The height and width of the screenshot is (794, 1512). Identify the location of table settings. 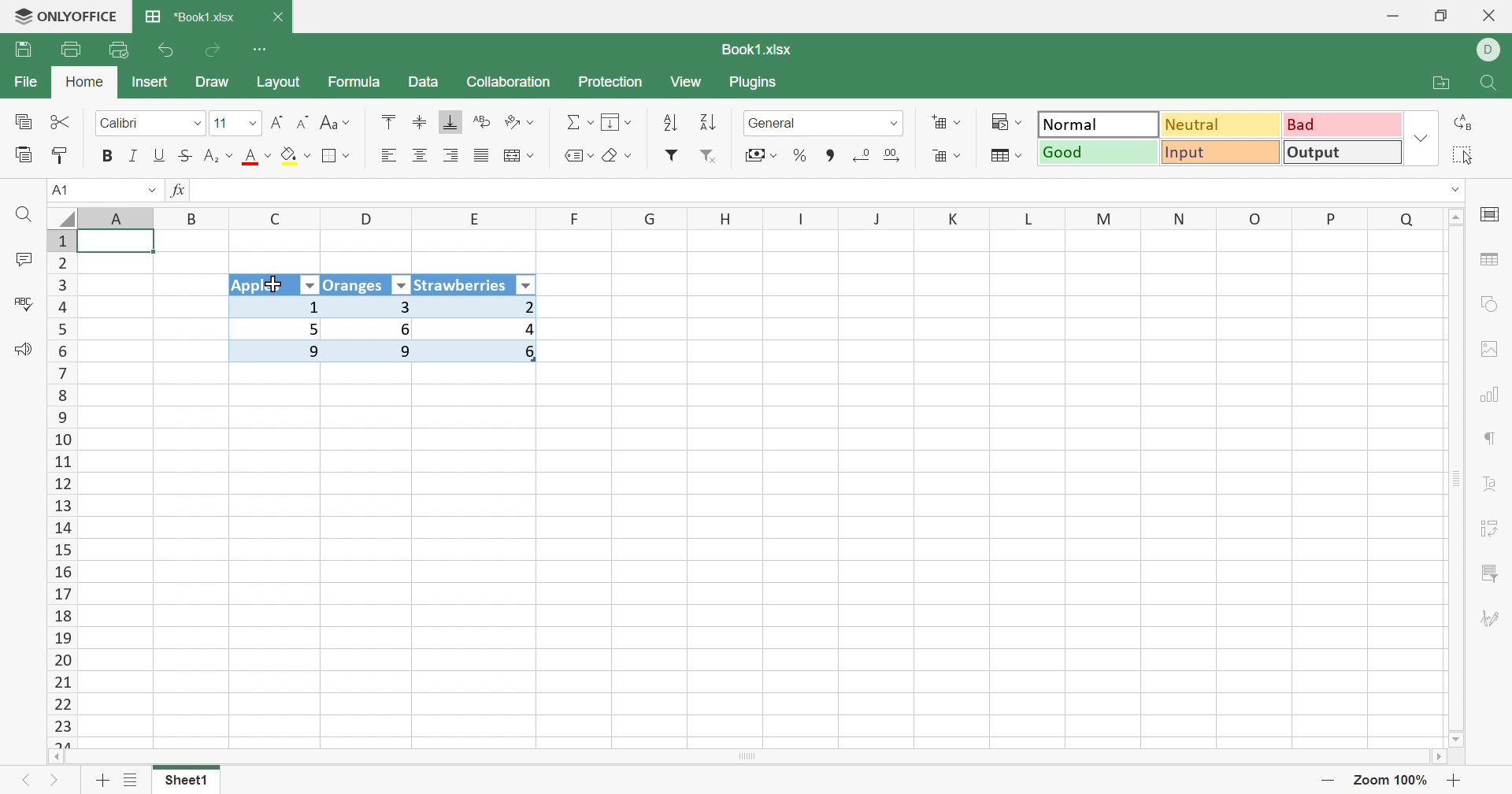
(1492, 262).